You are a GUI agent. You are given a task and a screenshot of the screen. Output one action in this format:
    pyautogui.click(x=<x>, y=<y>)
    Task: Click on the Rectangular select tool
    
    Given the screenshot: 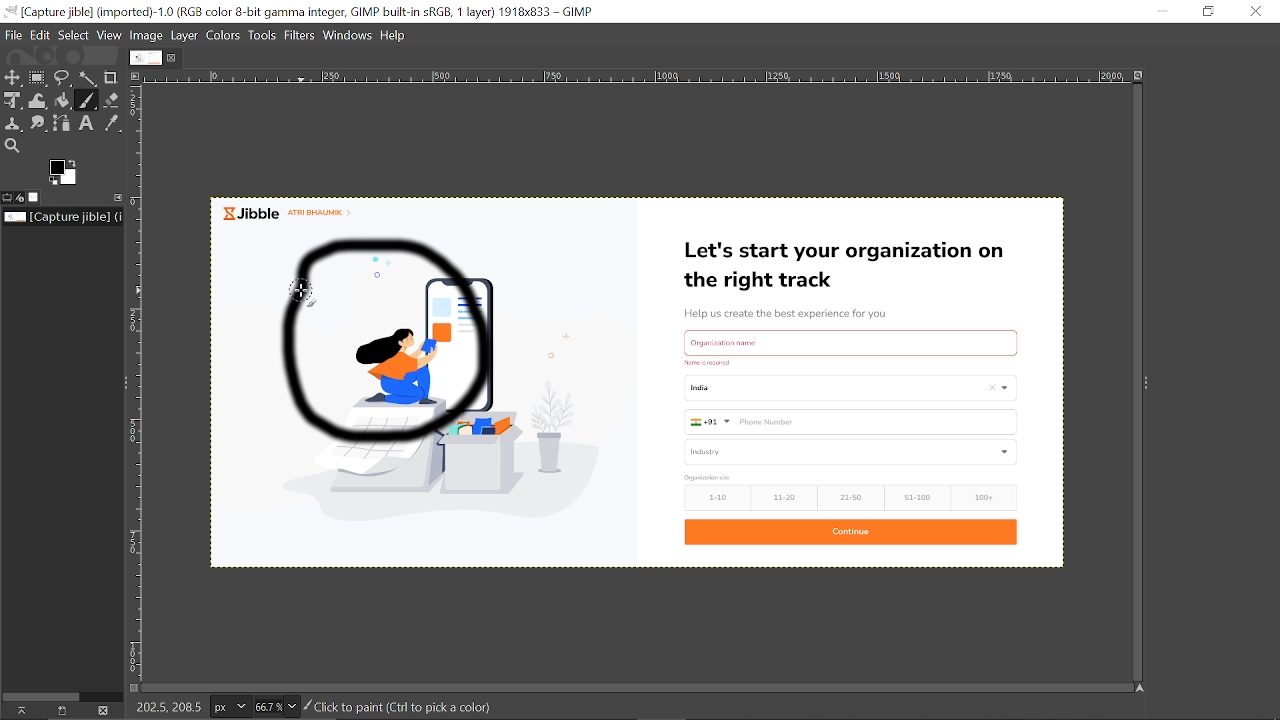 What is the action you would take?
    pyautogui.click(x=38, y=78)
    